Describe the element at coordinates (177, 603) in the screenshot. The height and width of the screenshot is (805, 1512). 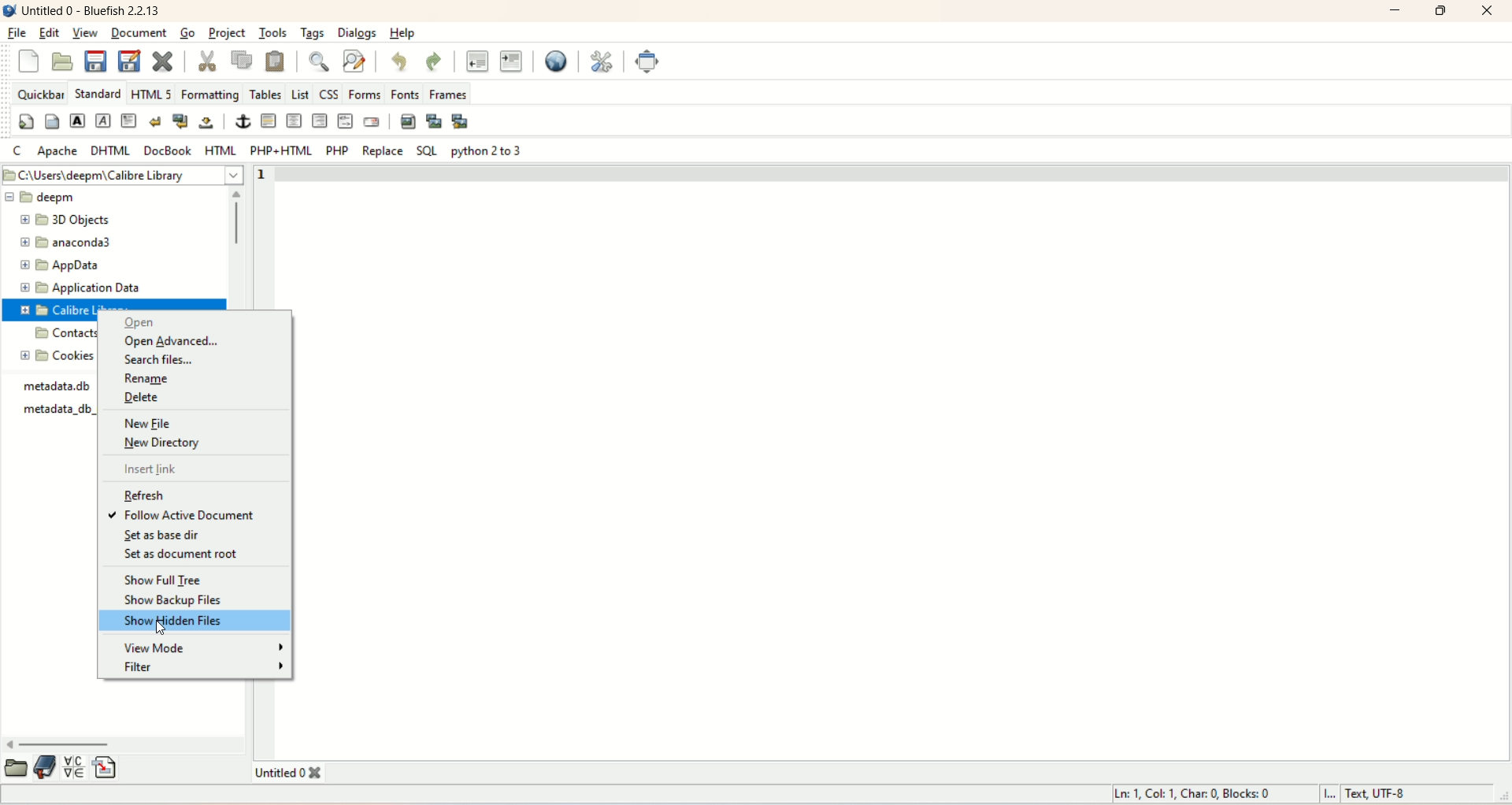
I see `show backup files` at that location.